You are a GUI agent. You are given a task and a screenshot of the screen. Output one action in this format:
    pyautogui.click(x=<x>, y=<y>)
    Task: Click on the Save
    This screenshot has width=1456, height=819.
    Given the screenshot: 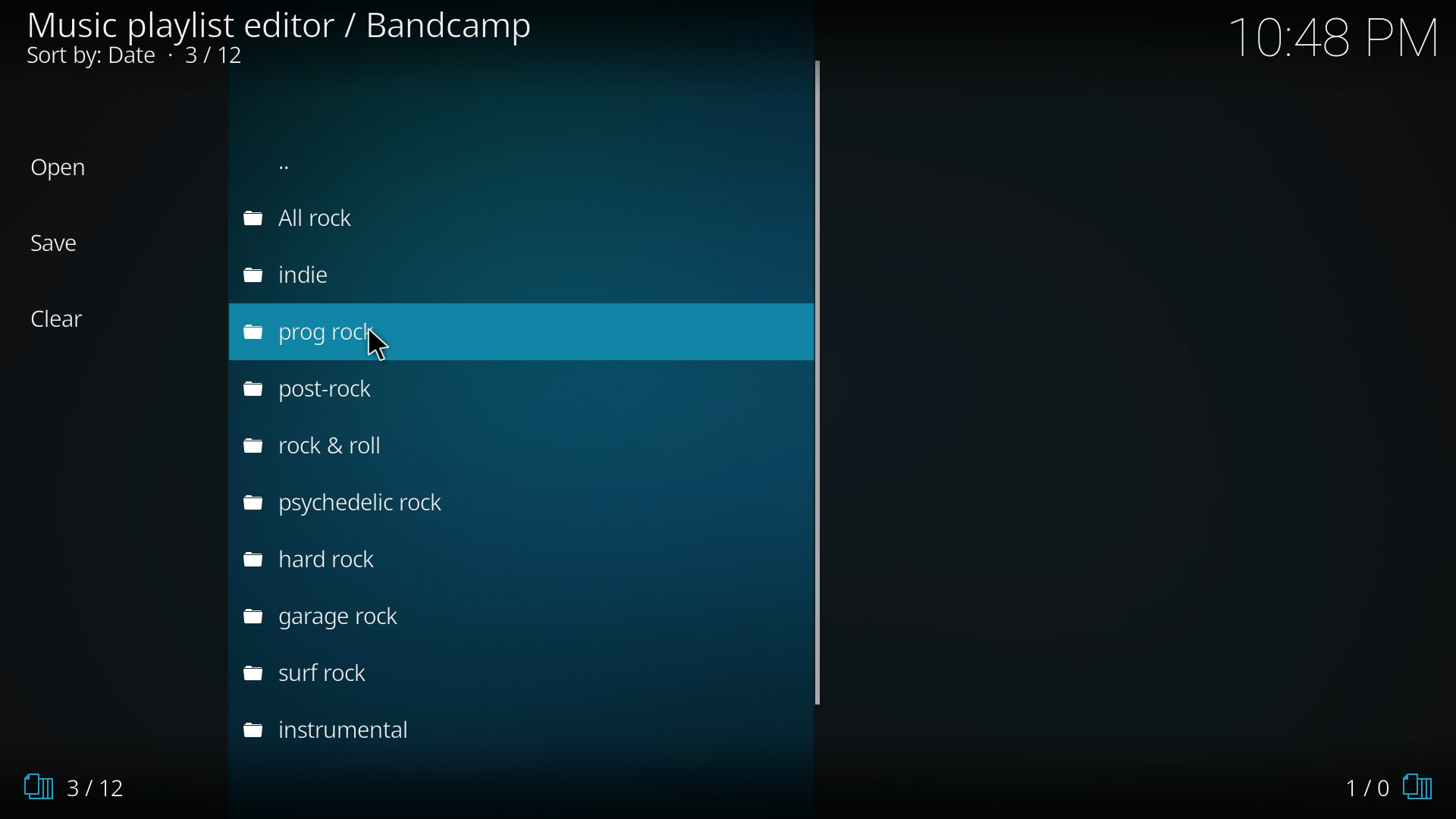 What is the action you would take?
    pyautogui.click(x=71, y=243)
    